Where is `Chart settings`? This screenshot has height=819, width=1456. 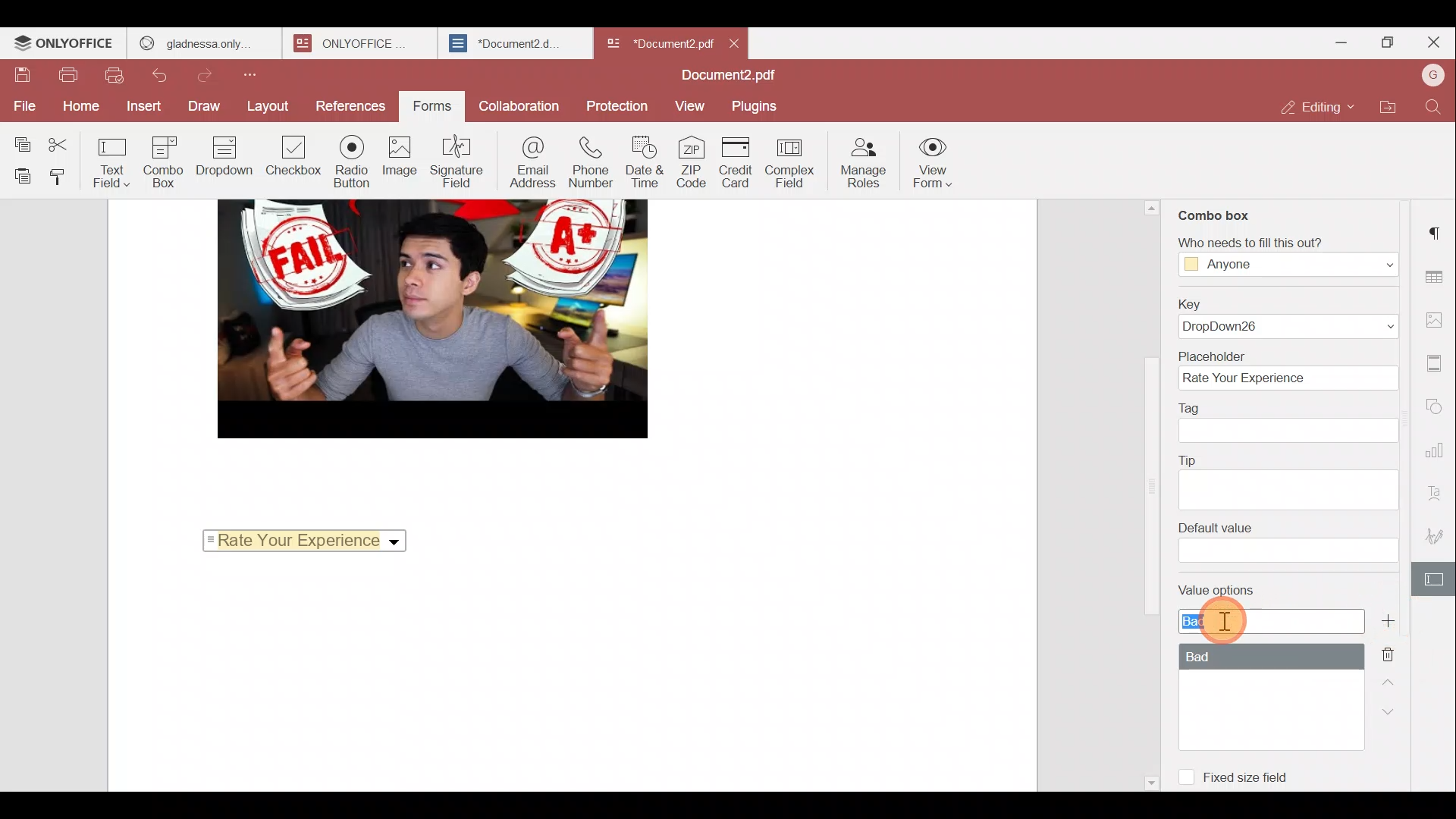
Chart settings is located at coordinates (1439, 452).